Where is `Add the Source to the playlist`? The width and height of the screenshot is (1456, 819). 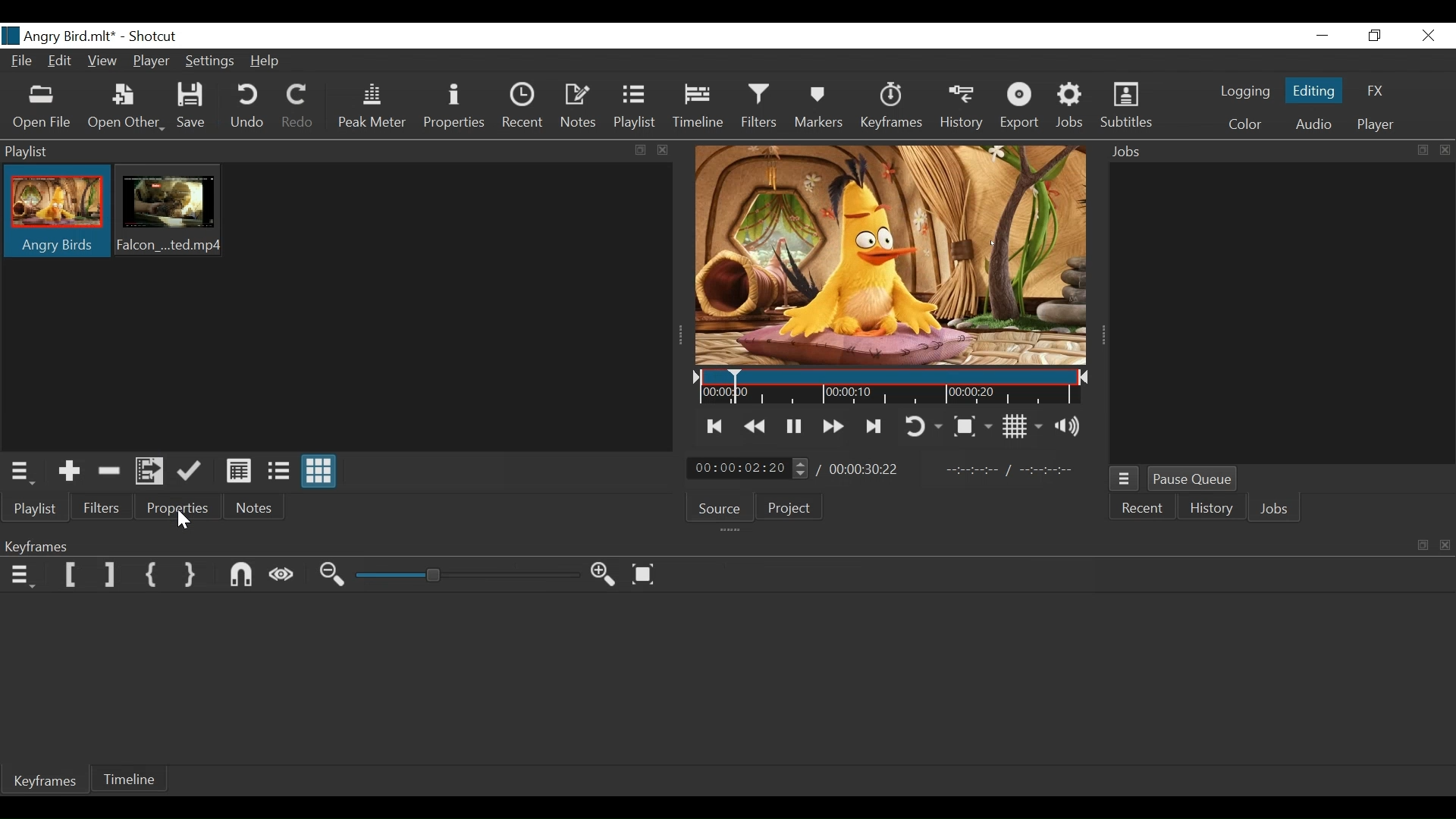
Add the Source to the playlist is located at coordinates (67, 471).